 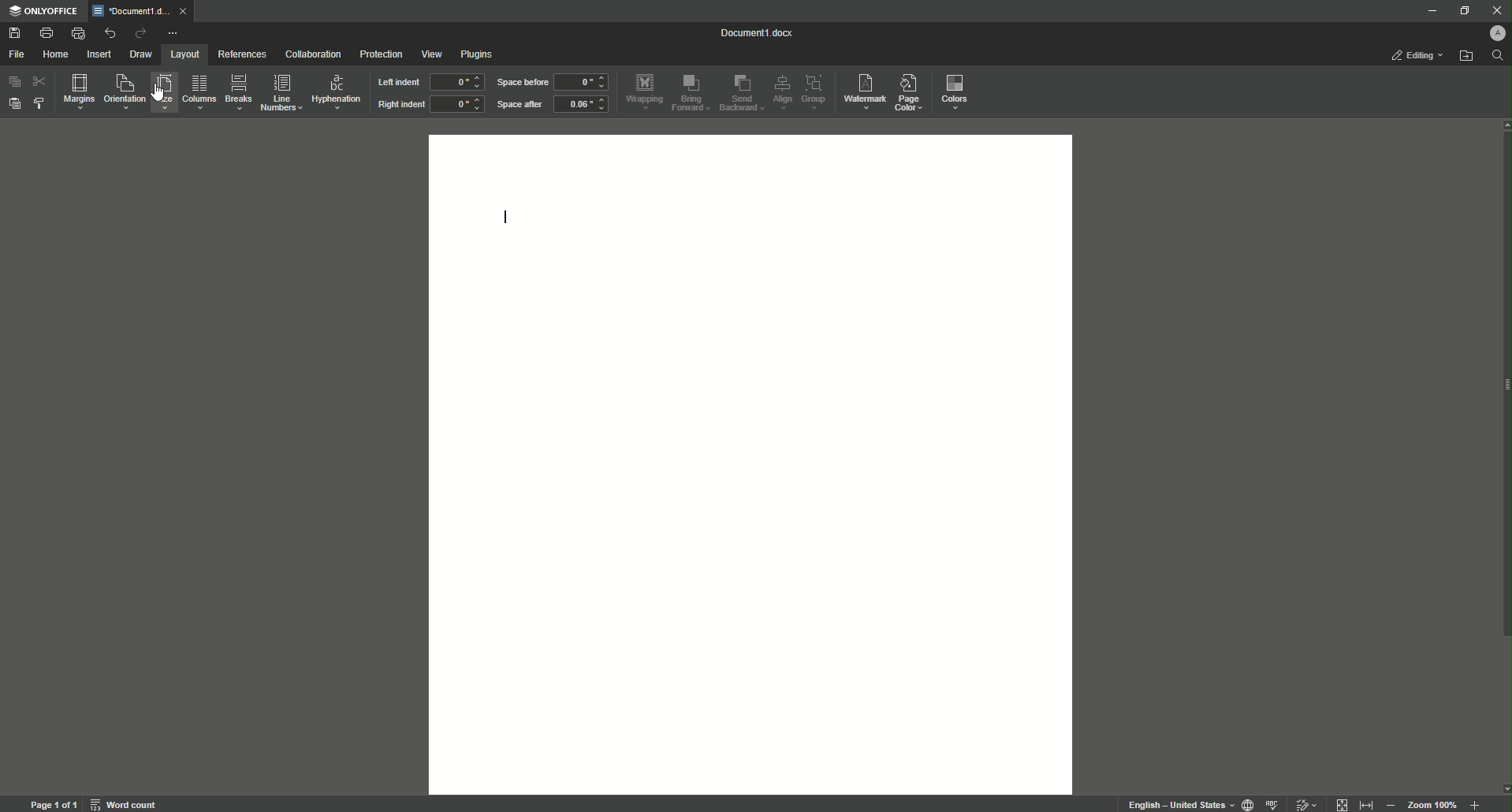 I want to click on Tab 1, so click(x=139, y=11).